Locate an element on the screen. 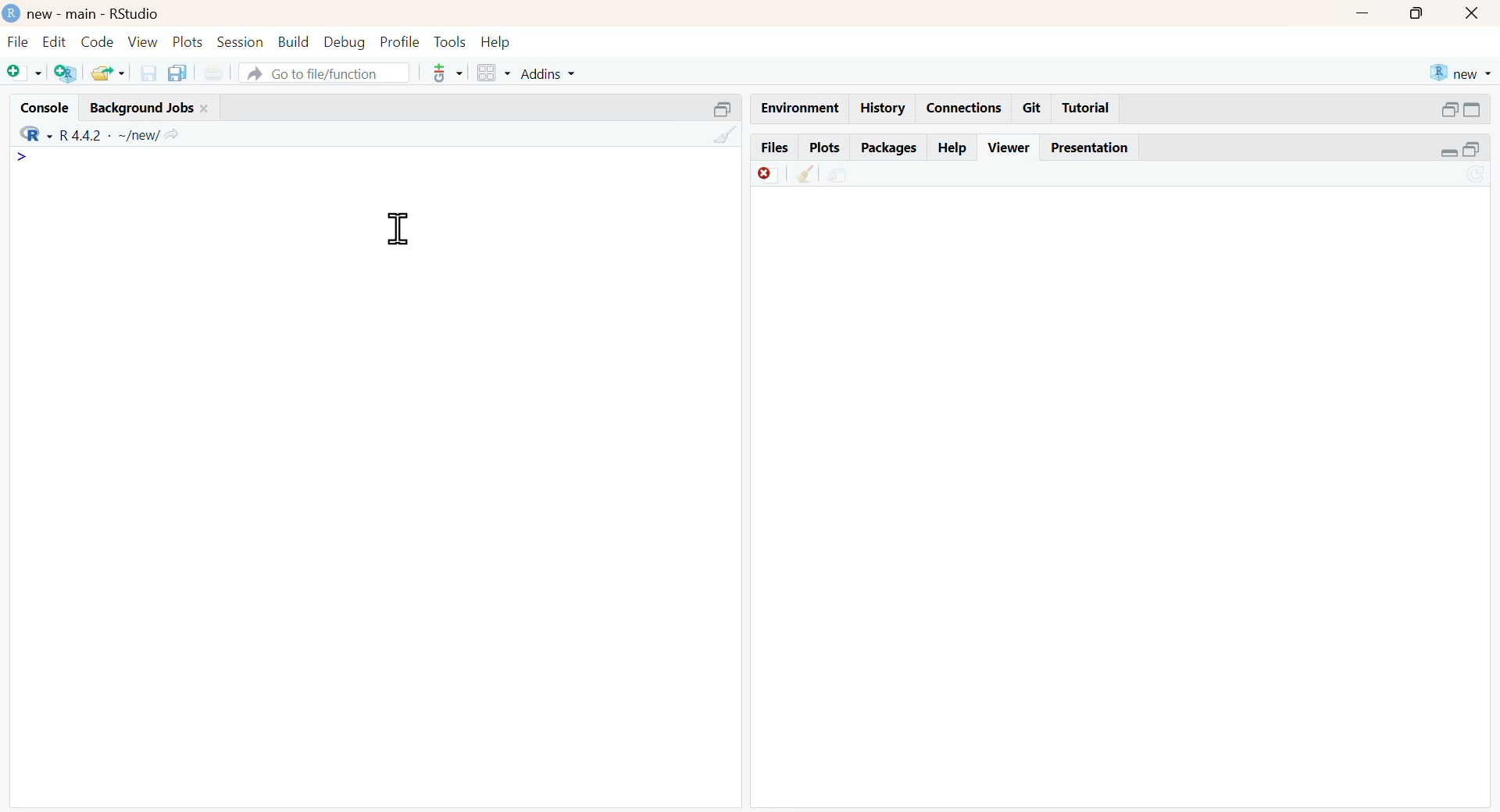 The image size is (1500, 812). Files is located at coordinates (770, 146).